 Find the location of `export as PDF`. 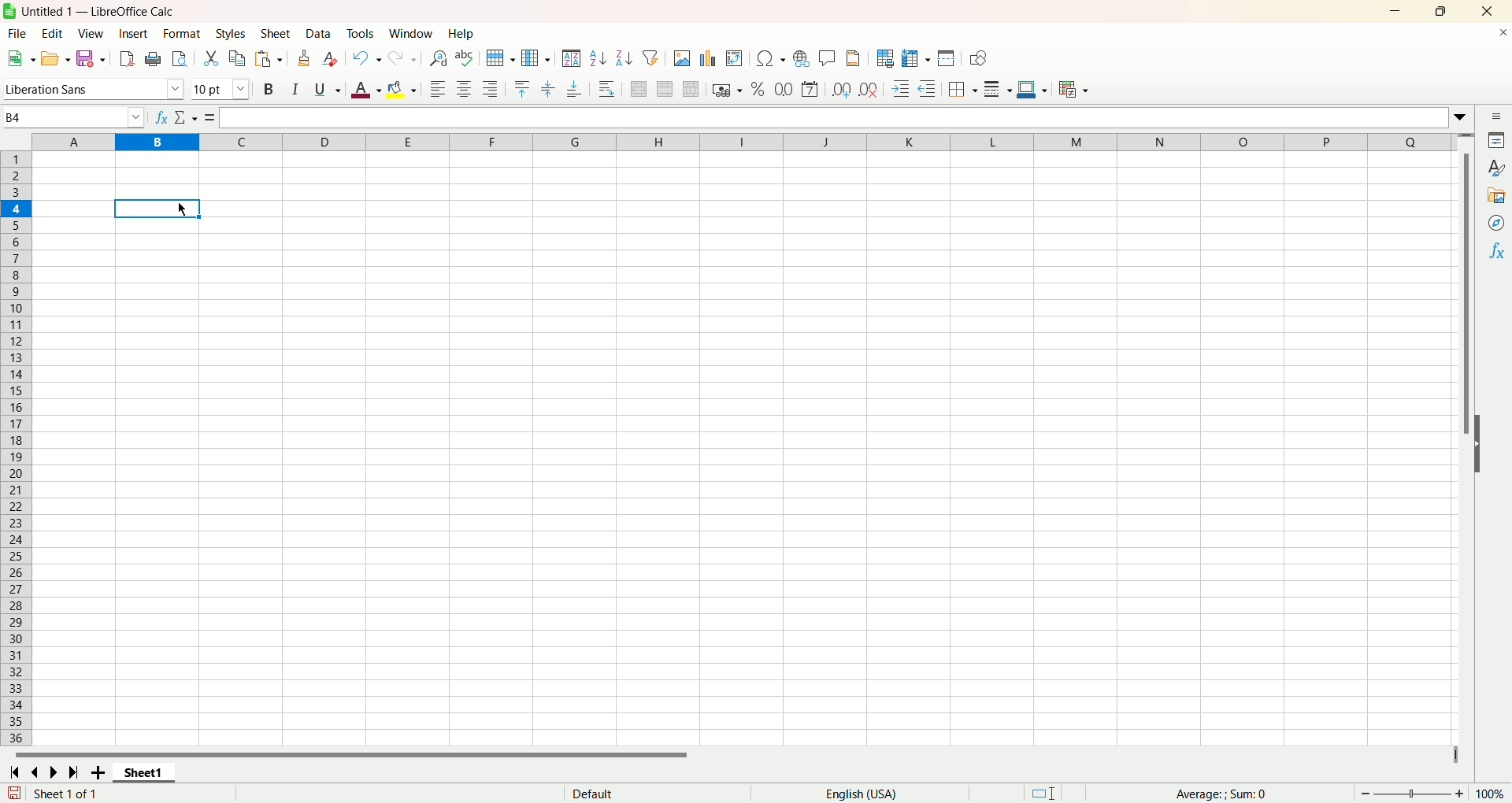

export as PDF is located at coordinates (128, 58).